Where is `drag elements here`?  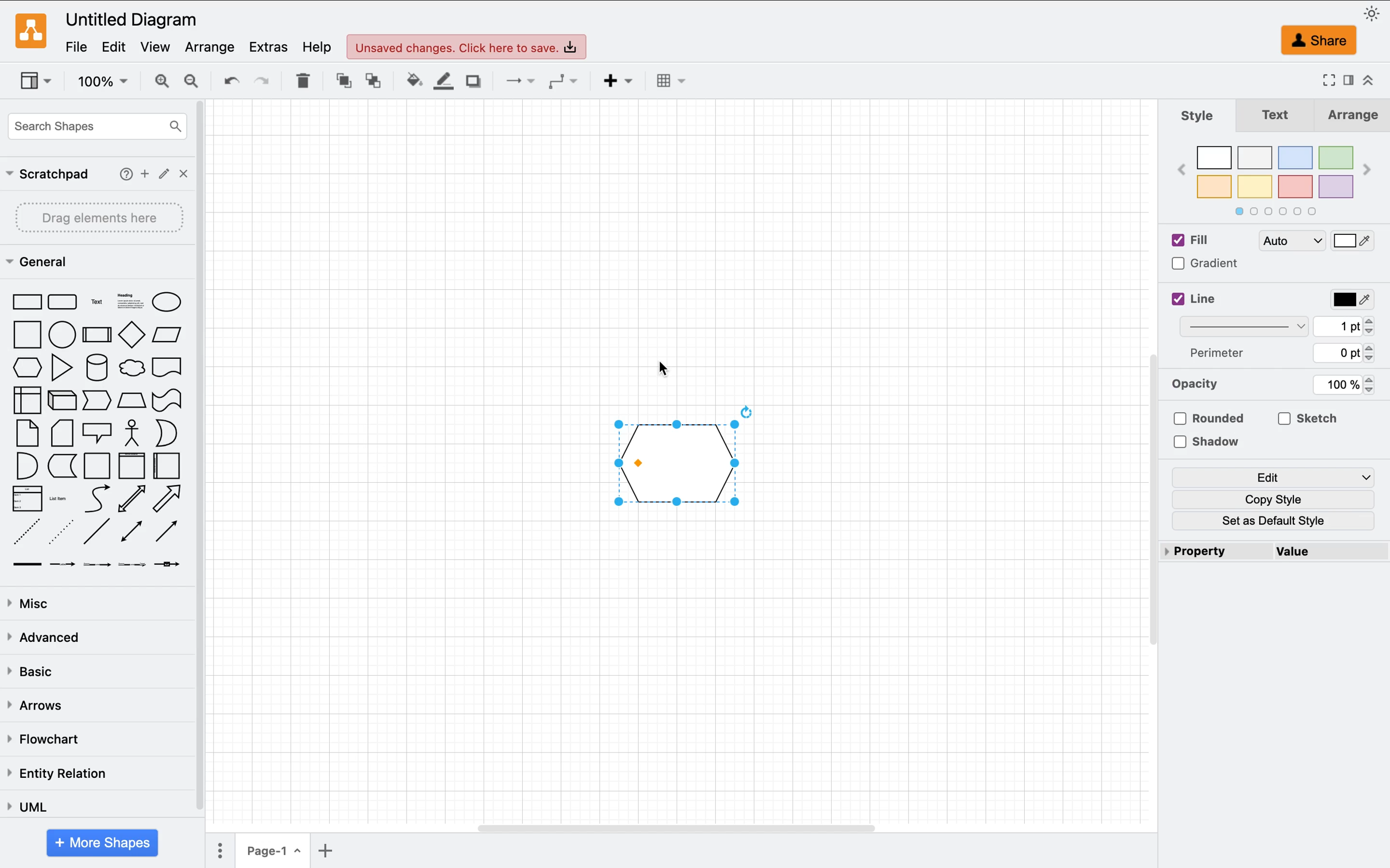 drag elements here is located at coordinates (101, 218).